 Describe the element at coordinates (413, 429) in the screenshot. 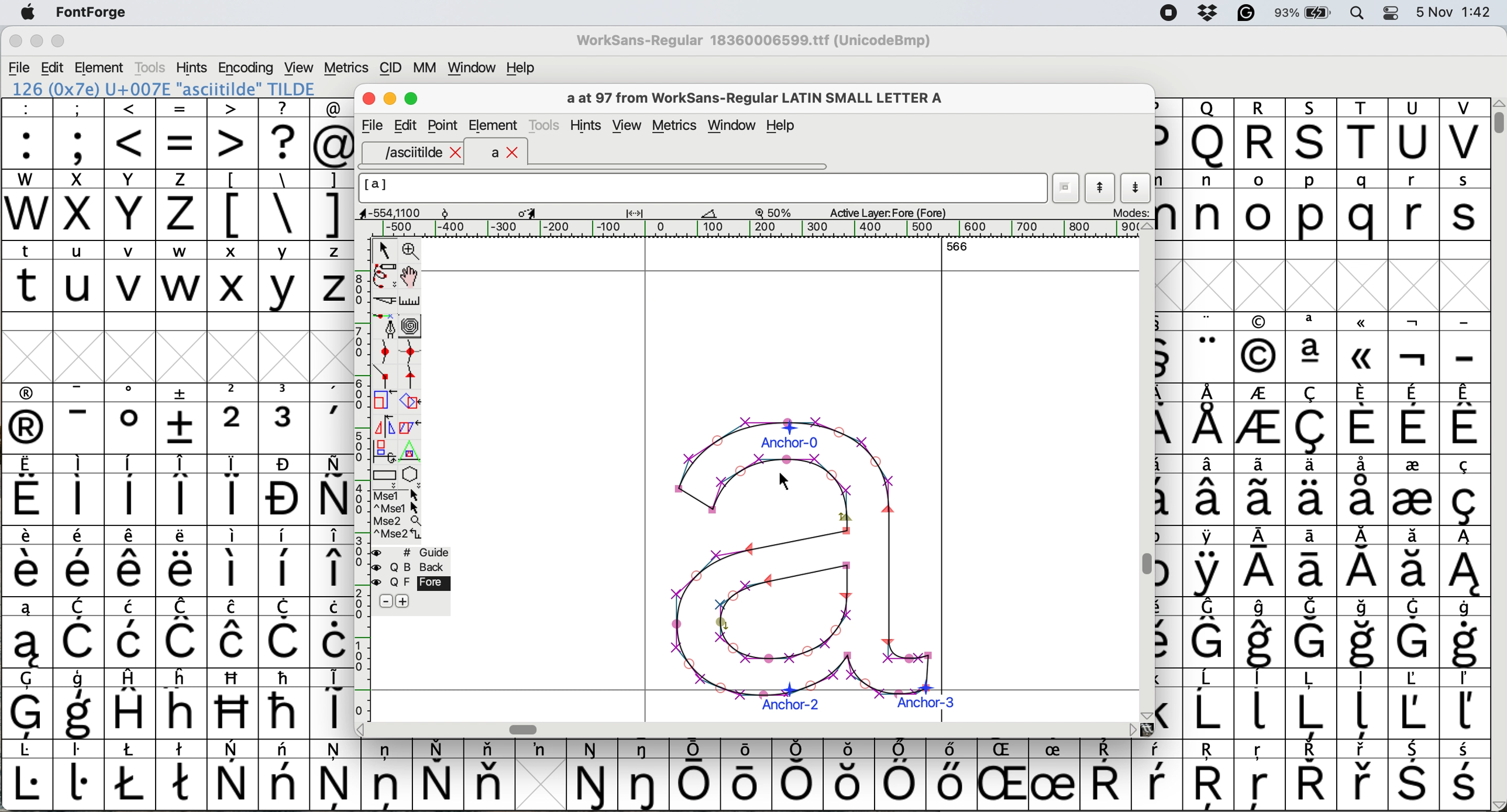

I see `skew selection` at that location.